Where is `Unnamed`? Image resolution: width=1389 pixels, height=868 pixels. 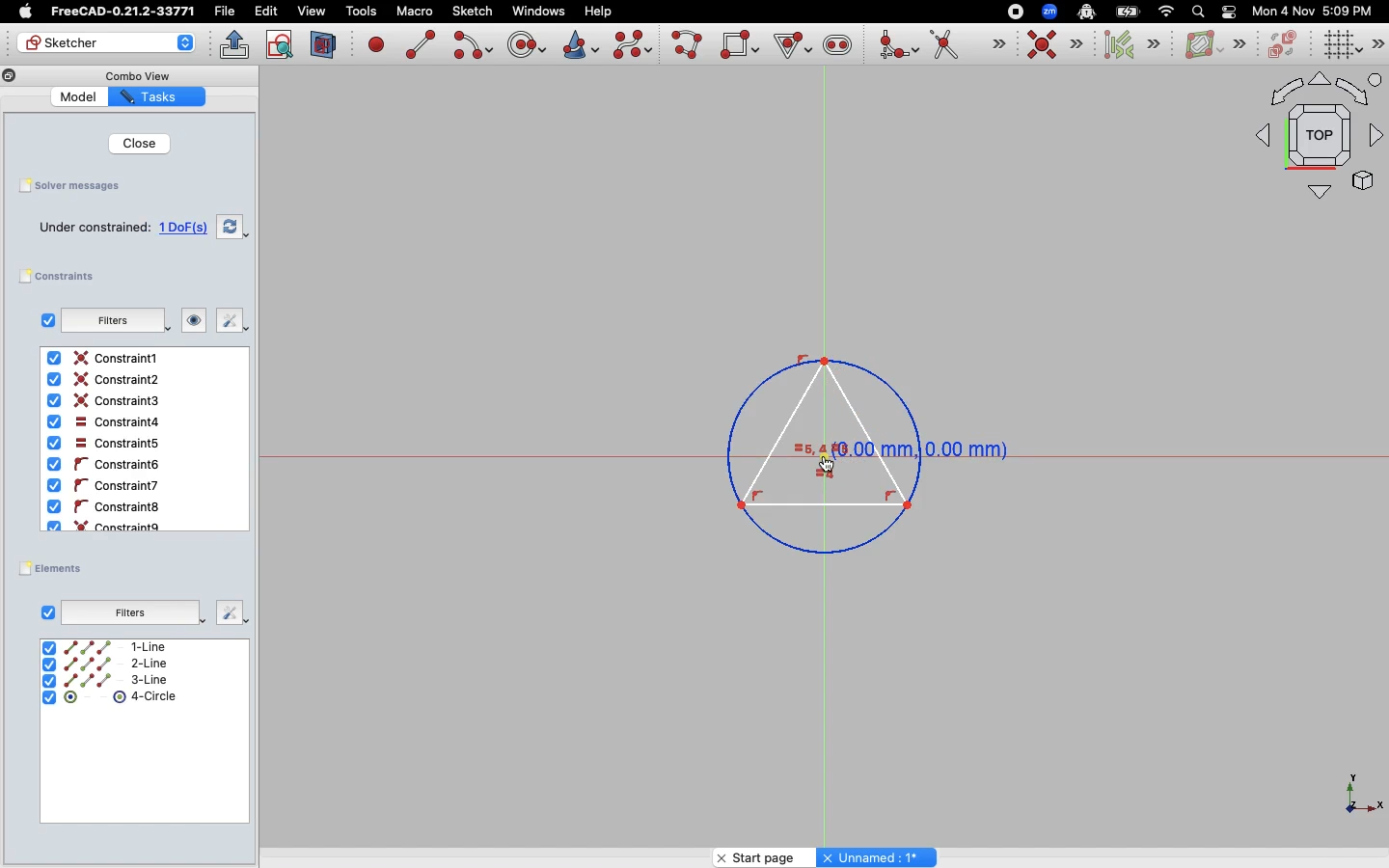 Unnamed is located at coordinates (879, 856).